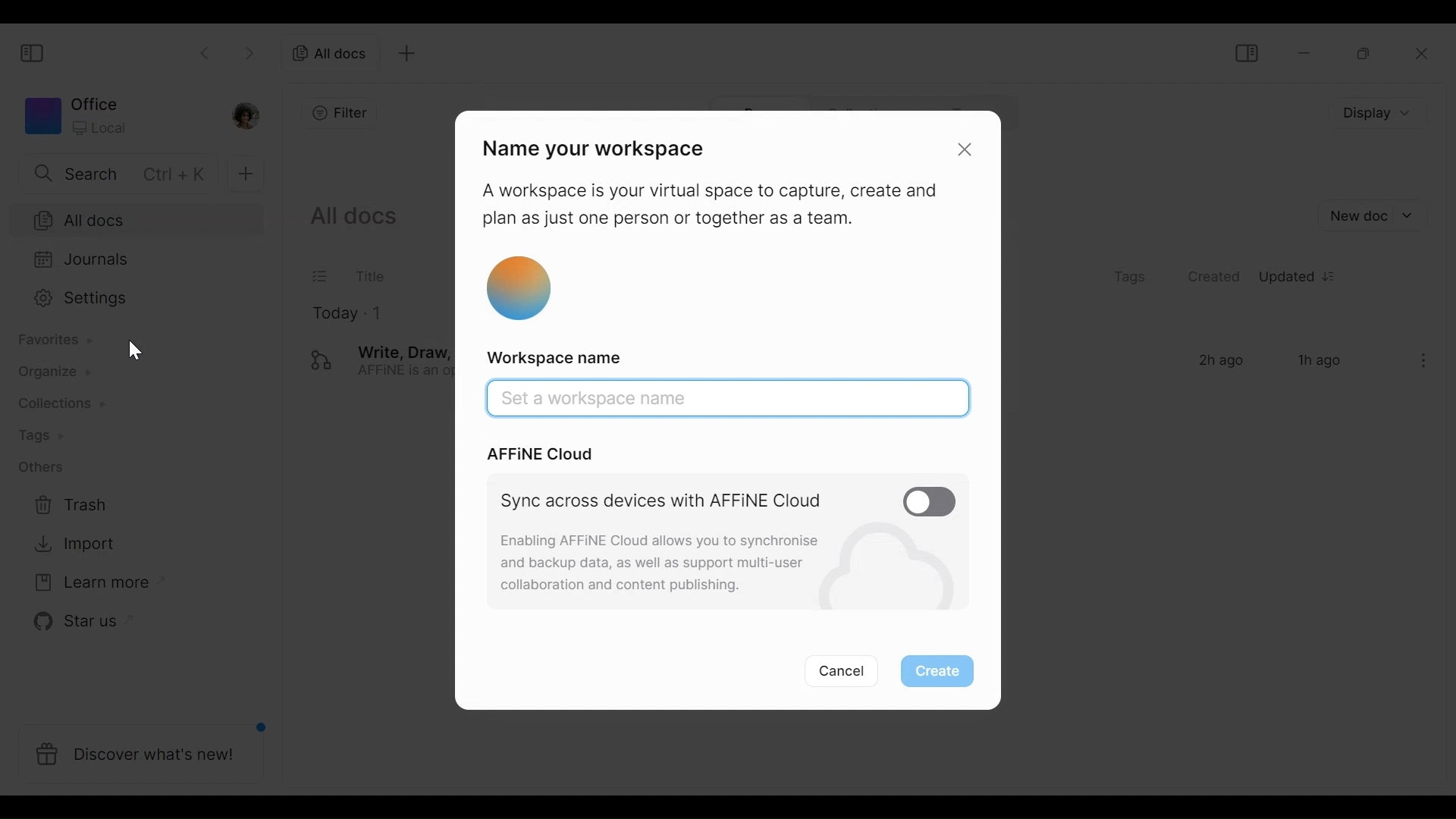  What do you see at coordinates (551, 357) in the screenshot?
I see `Workspace name` at bounding box center [551, 357].